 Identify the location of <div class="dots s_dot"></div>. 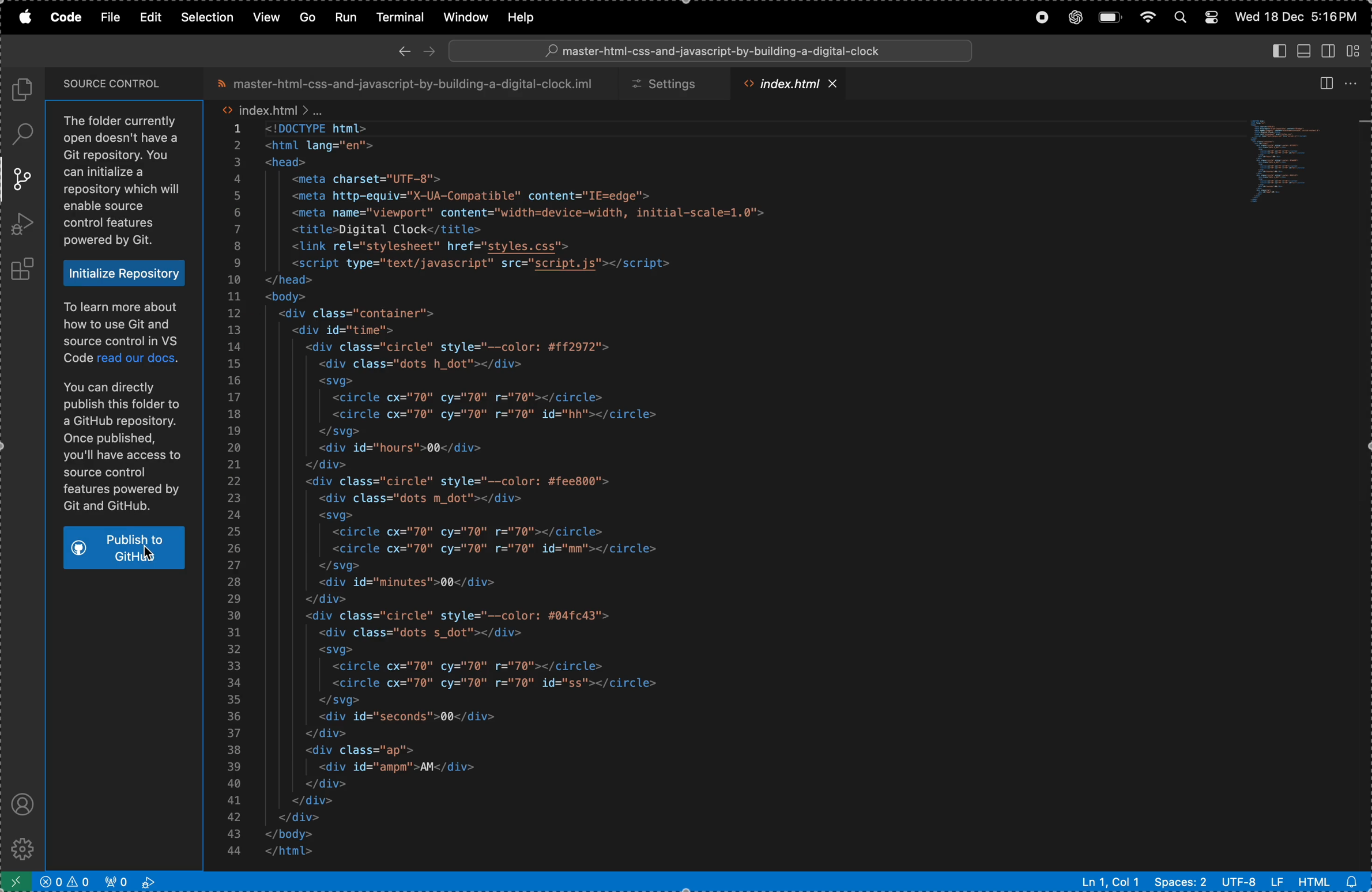
(432, 633).